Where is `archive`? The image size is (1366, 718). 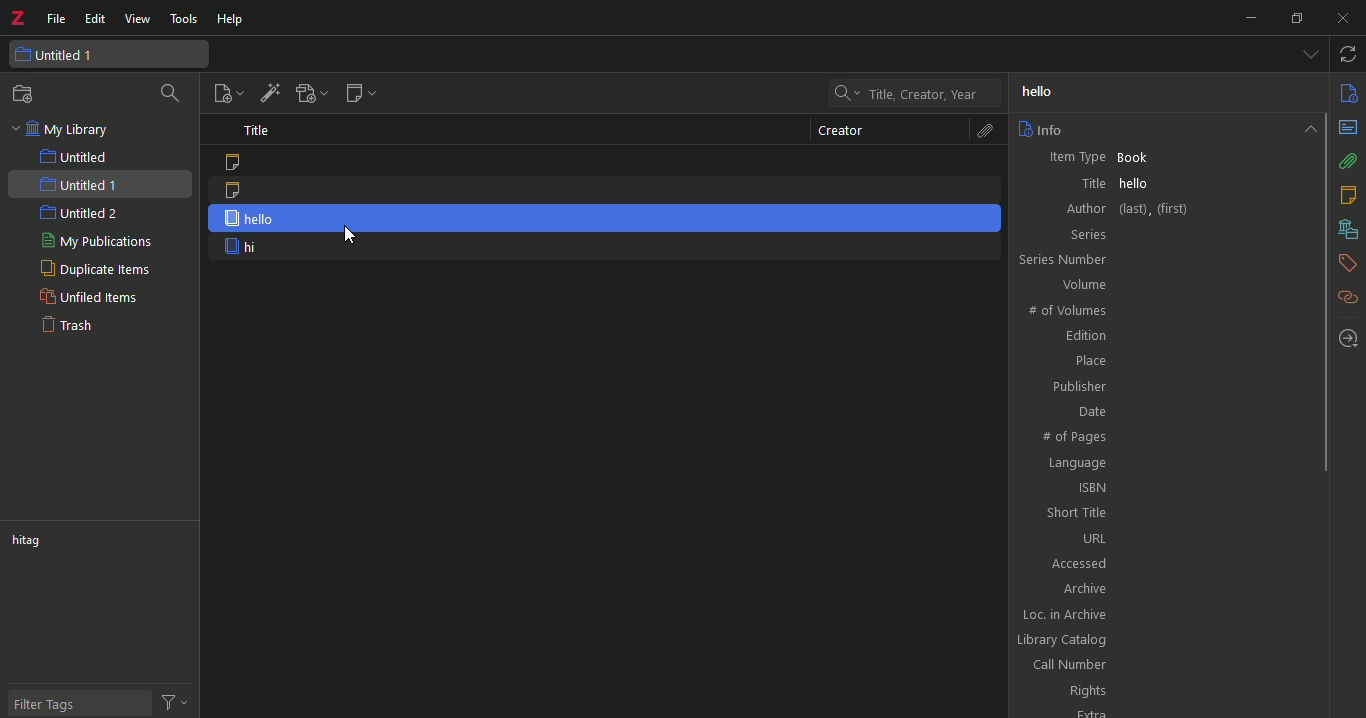 archive is located at coordinates (1092, 588).